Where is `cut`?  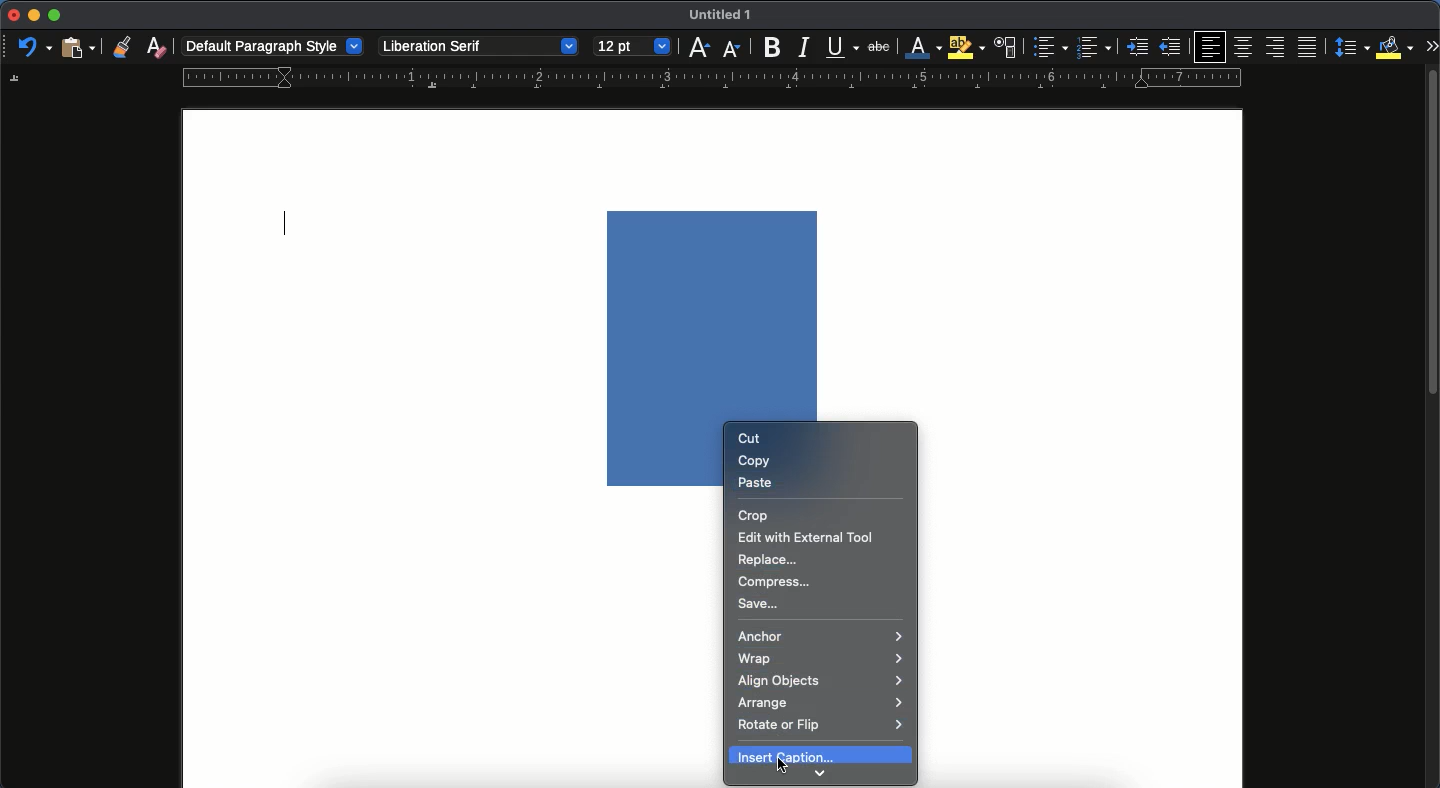
cut is located at coordinates (748, 439).